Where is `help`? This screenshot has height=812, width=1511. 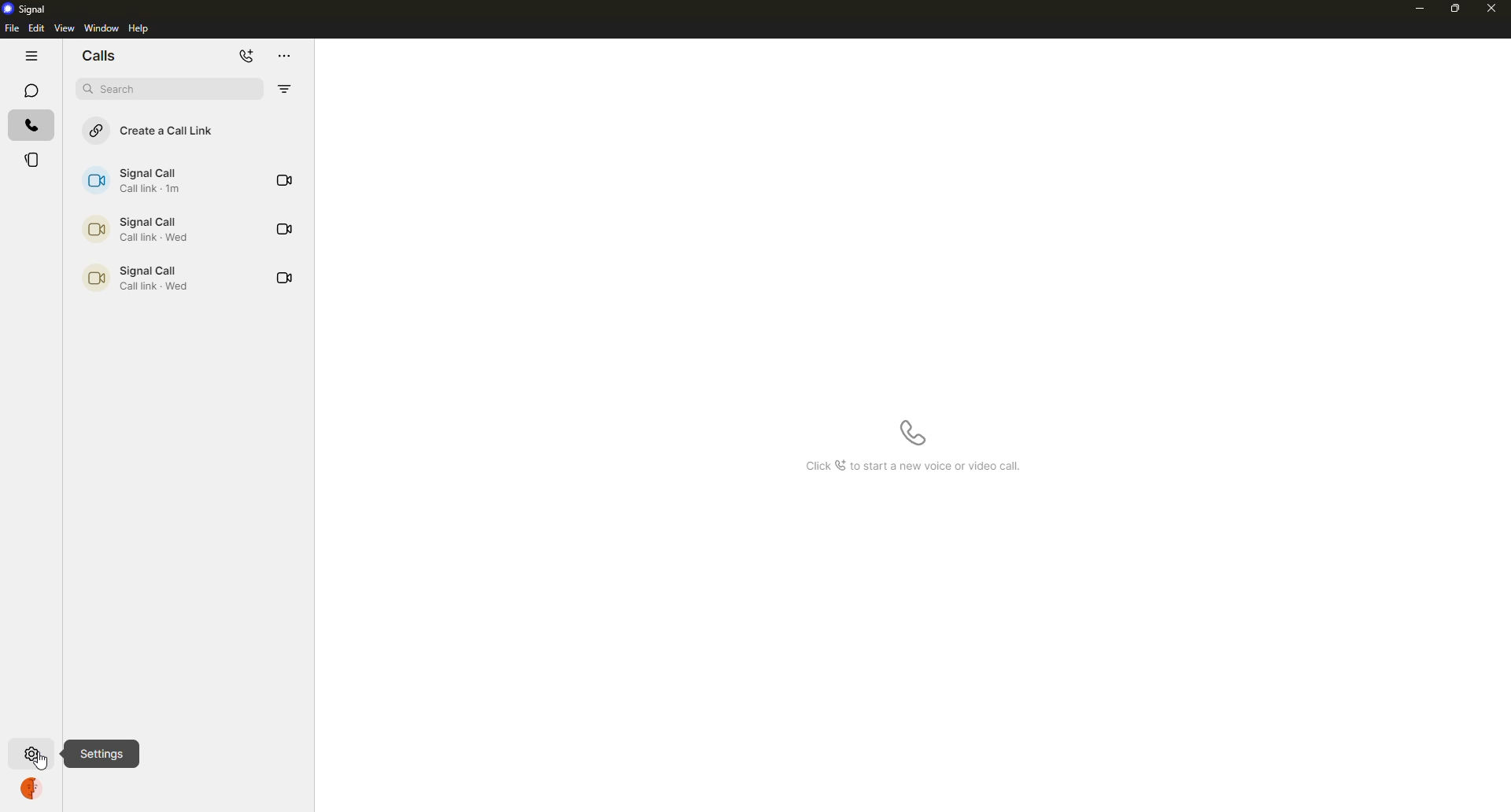 help is located at coordinates (141, 28).